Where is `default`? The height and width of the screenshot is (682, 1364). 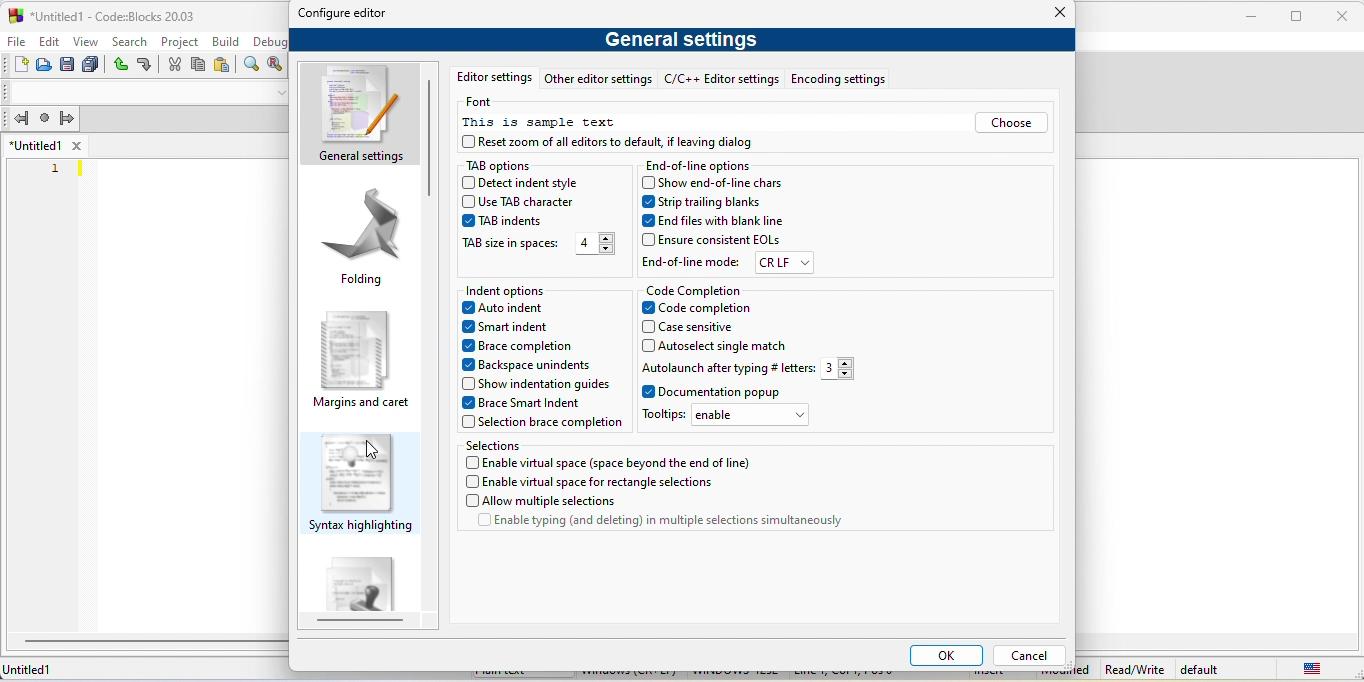 default is located at coordinates (1202, 669).